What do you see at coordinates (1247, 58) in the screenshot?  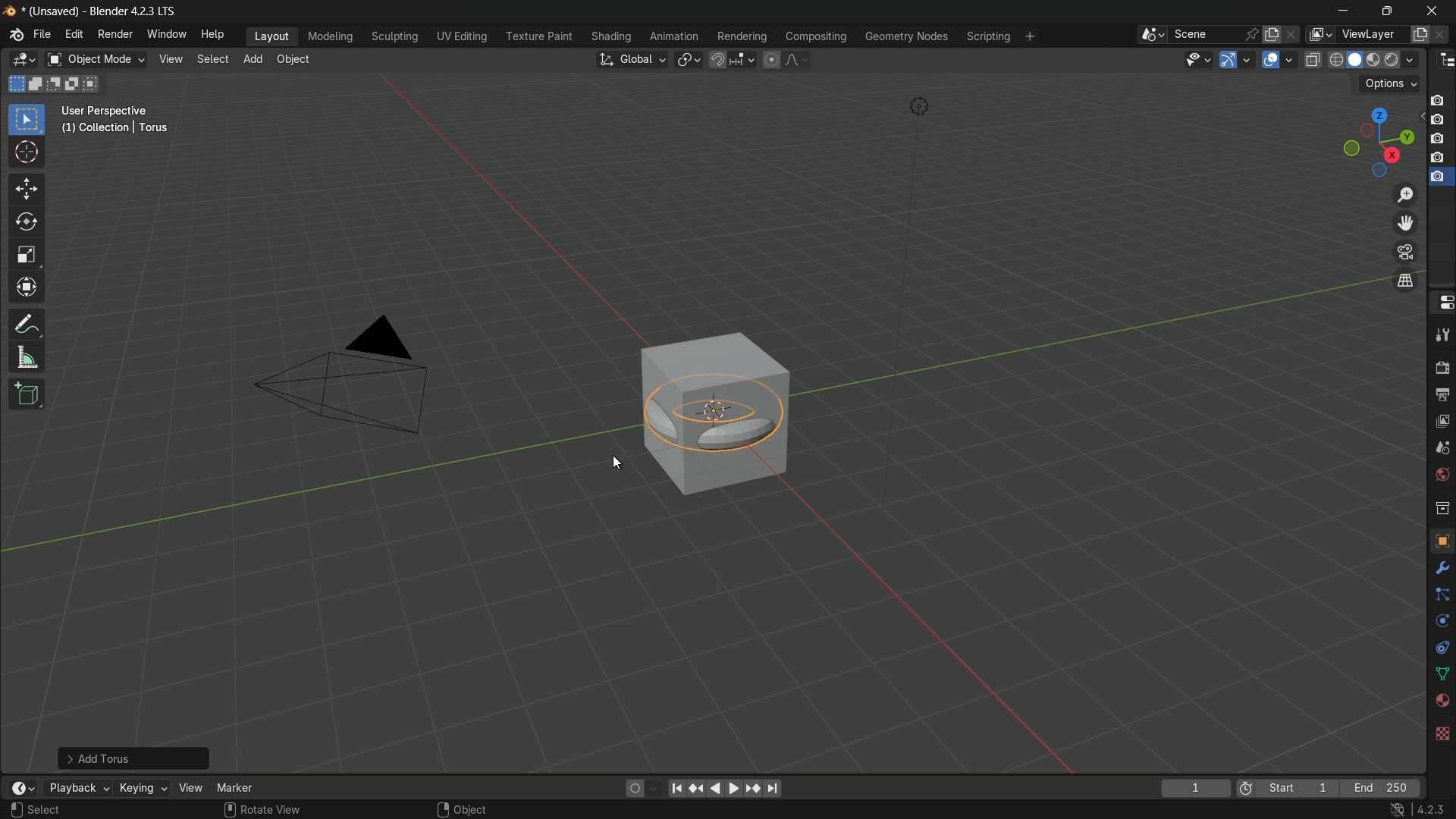 I see `gizmos` at bounding box center [1247, 58].